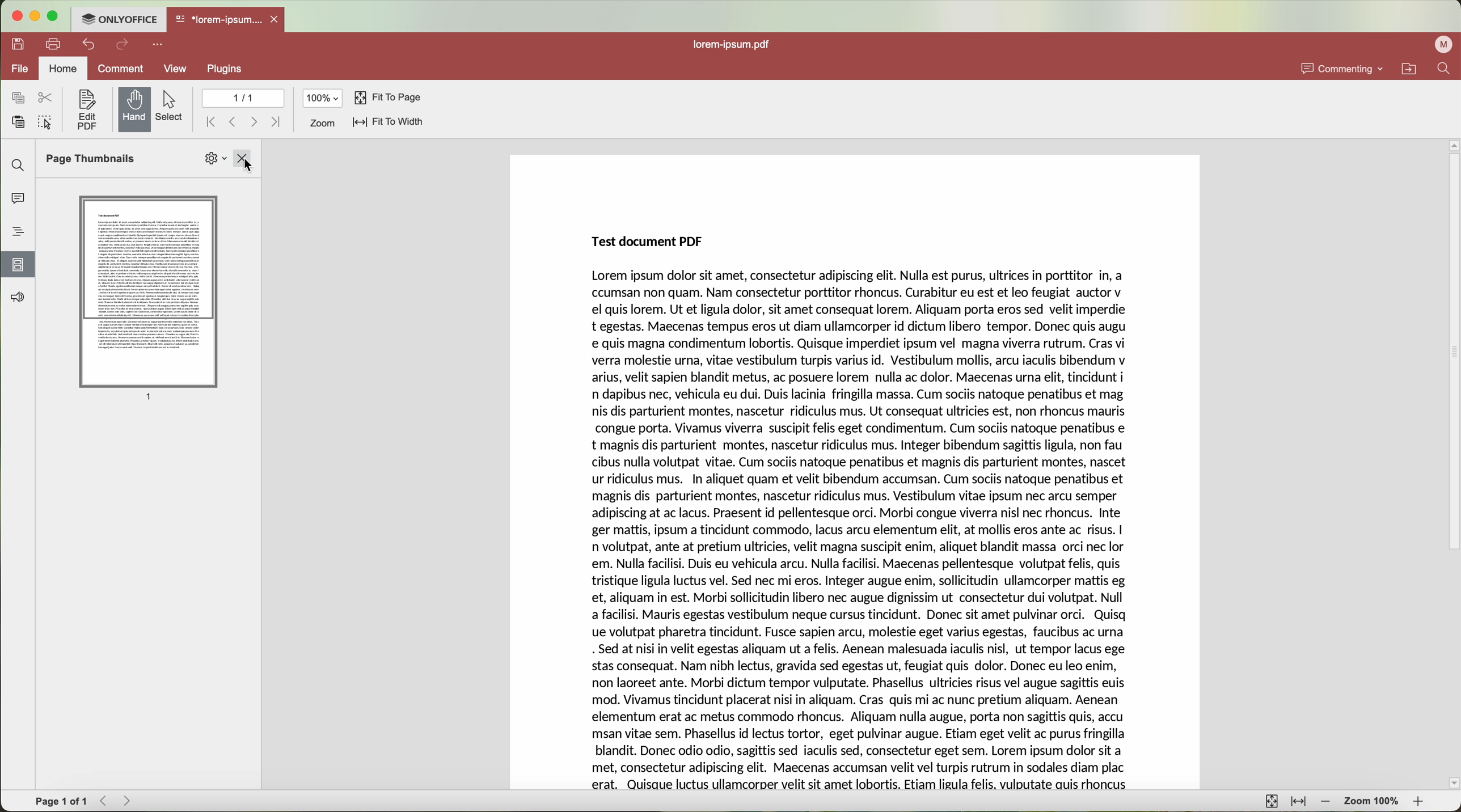  Describe the element at coordinates (94, 159) in the screenshot. I see `Page Thumbnails` at that location.